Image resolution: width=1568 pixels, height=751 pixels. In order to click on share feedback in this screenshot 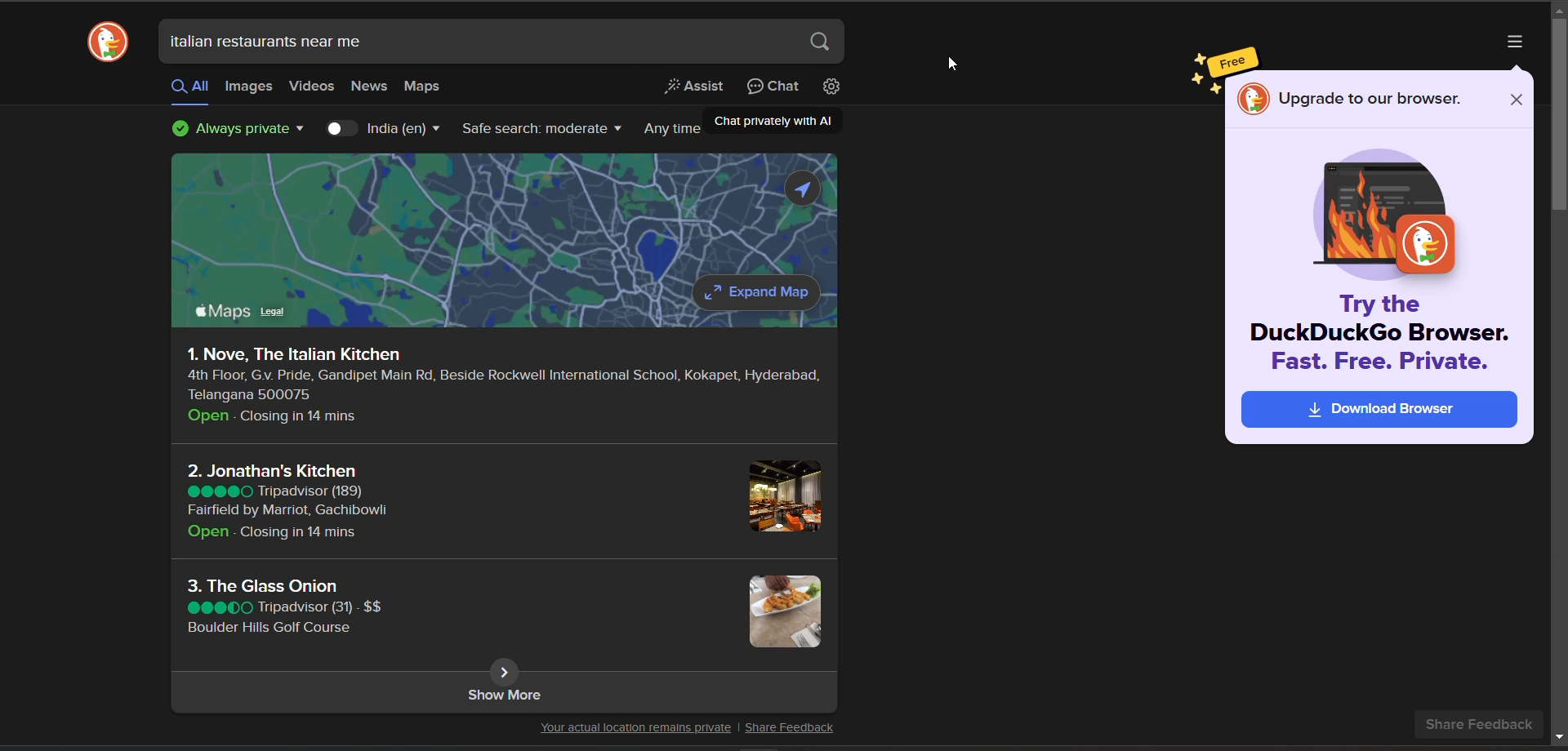, I will do `click(790, 728)`.